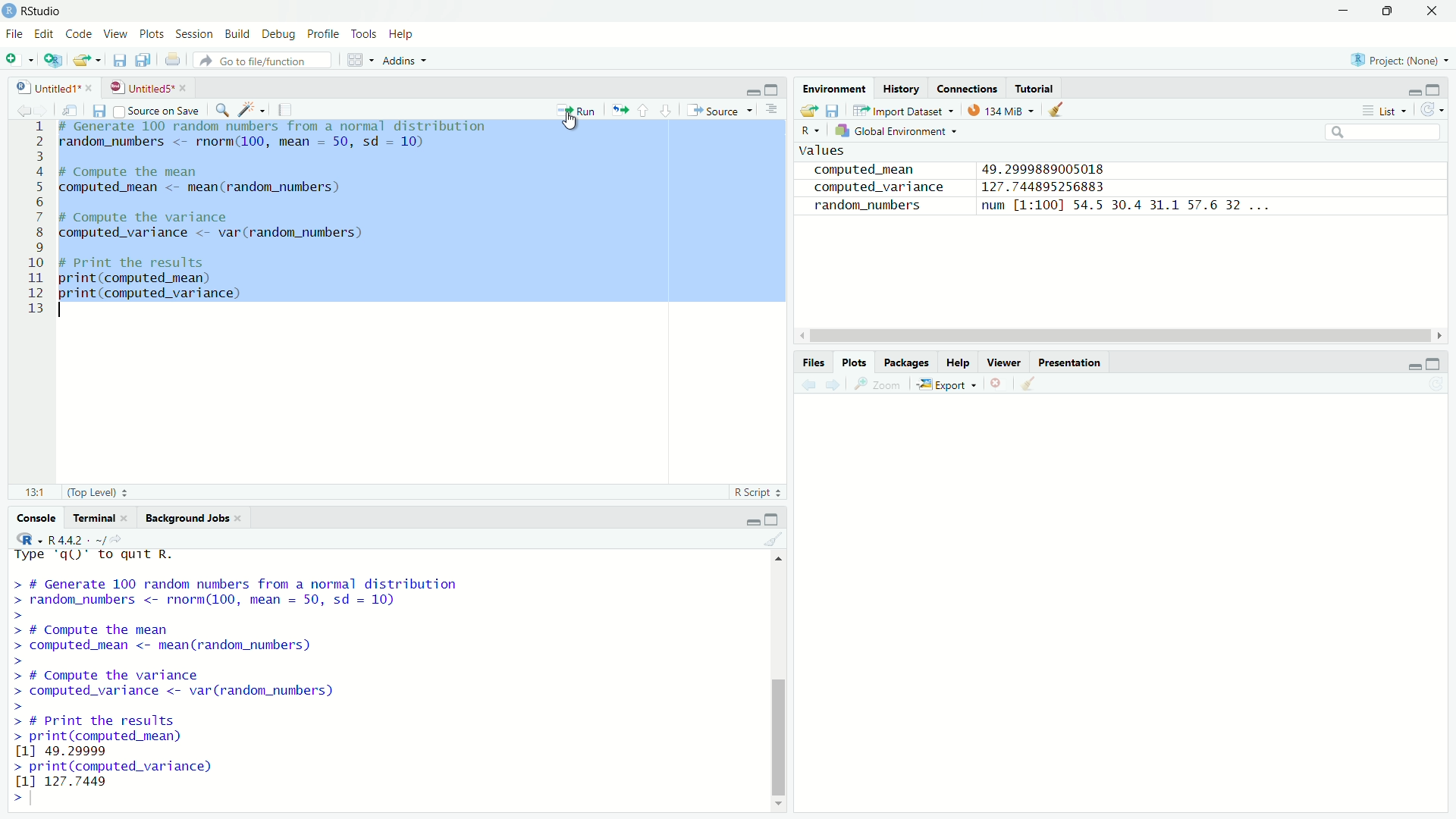  What do you see at coordinates (825, 152) in the screenshot?
I see `values` at bounding box center [825, 152].